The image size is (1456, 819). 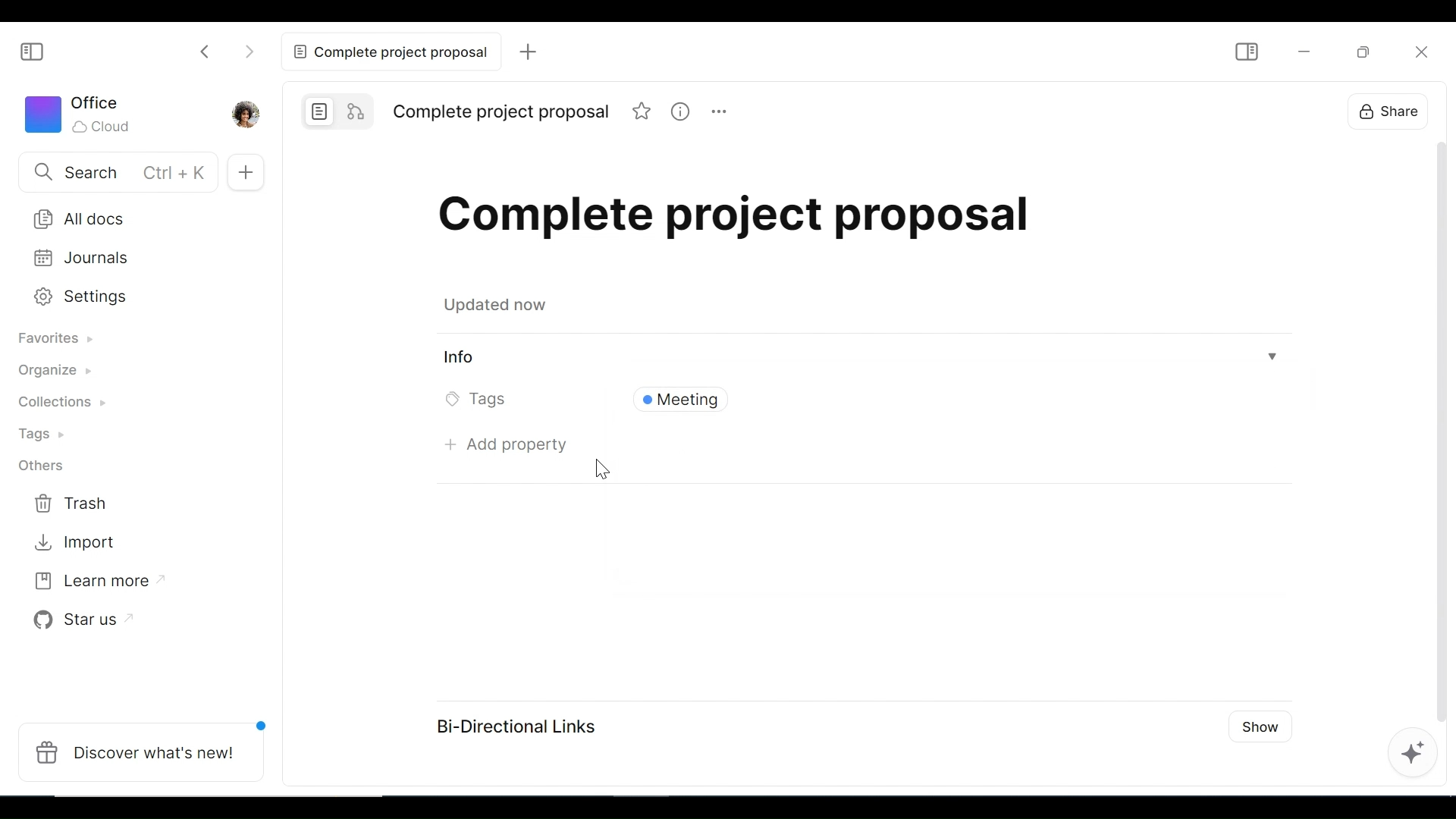 What do you see at coordinates (83, 115) in the screenshot?
I see `Workspace` at bounding box center [83, 115].